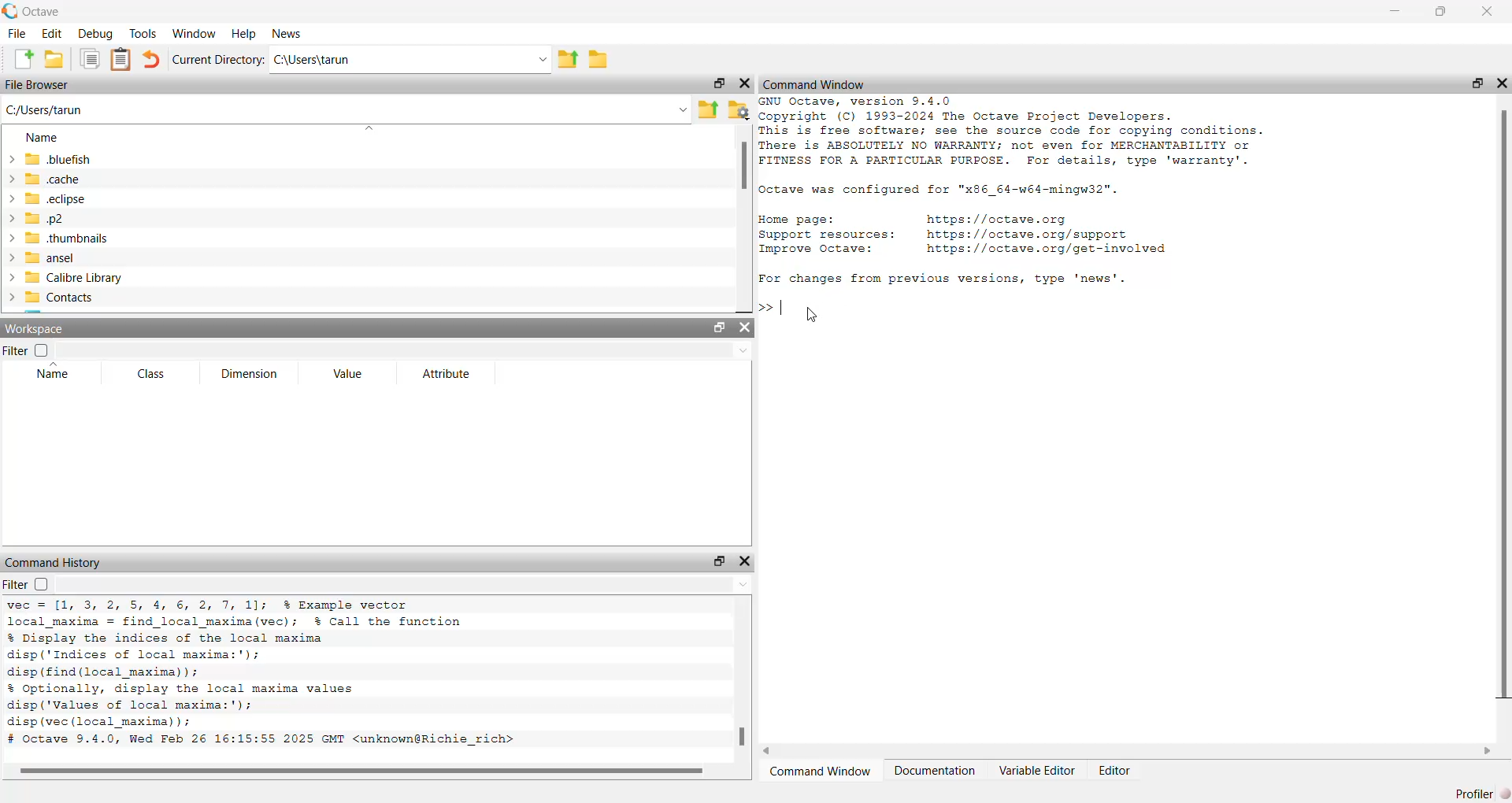 The image size is (1512, 803). I want to click on Calibre Library, so click(74, 277).